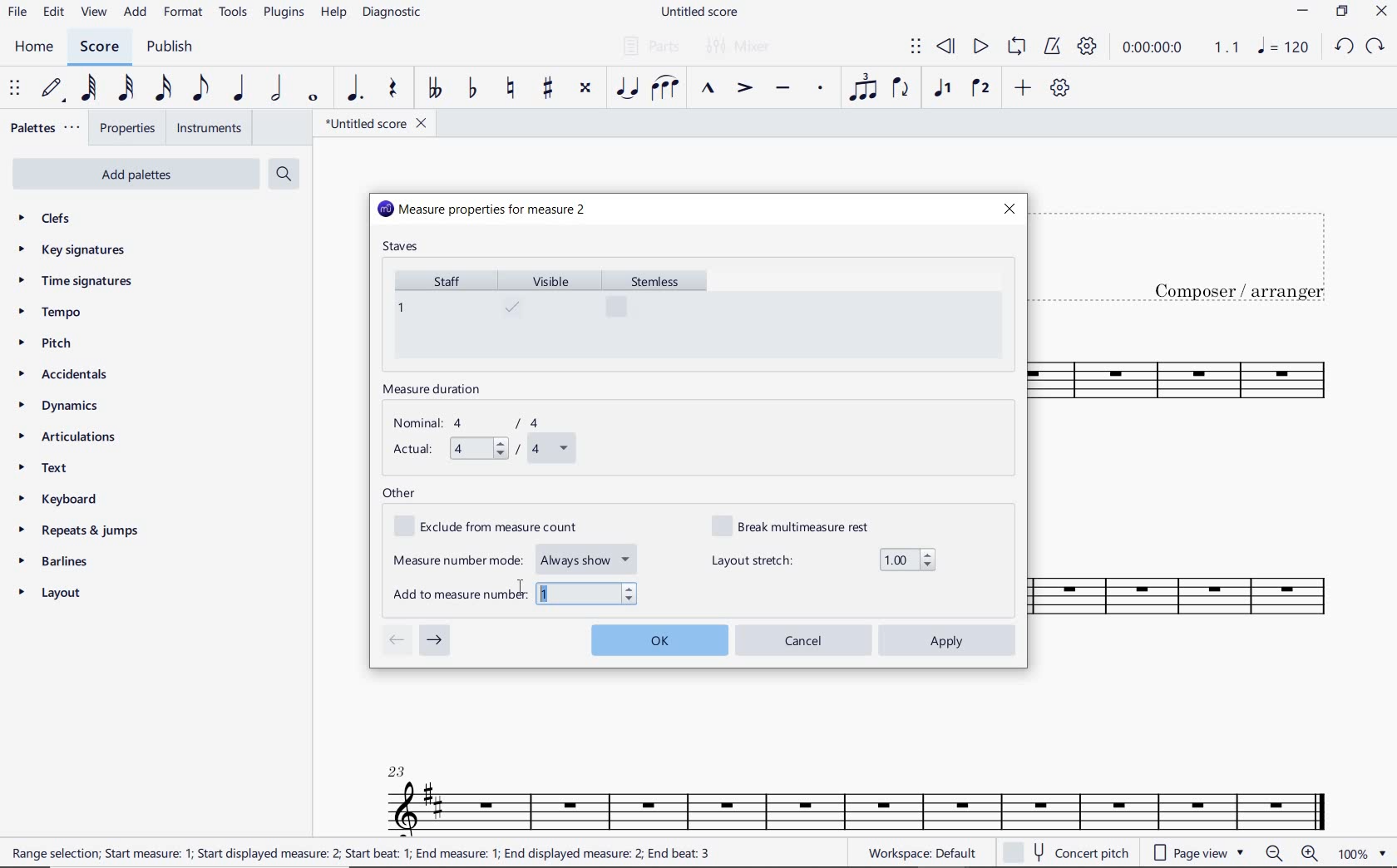 This screenshot has width=1397, height=868. Describe the element at coordinates (650, 45) in the screenshot. I see `PARTS` at that location.